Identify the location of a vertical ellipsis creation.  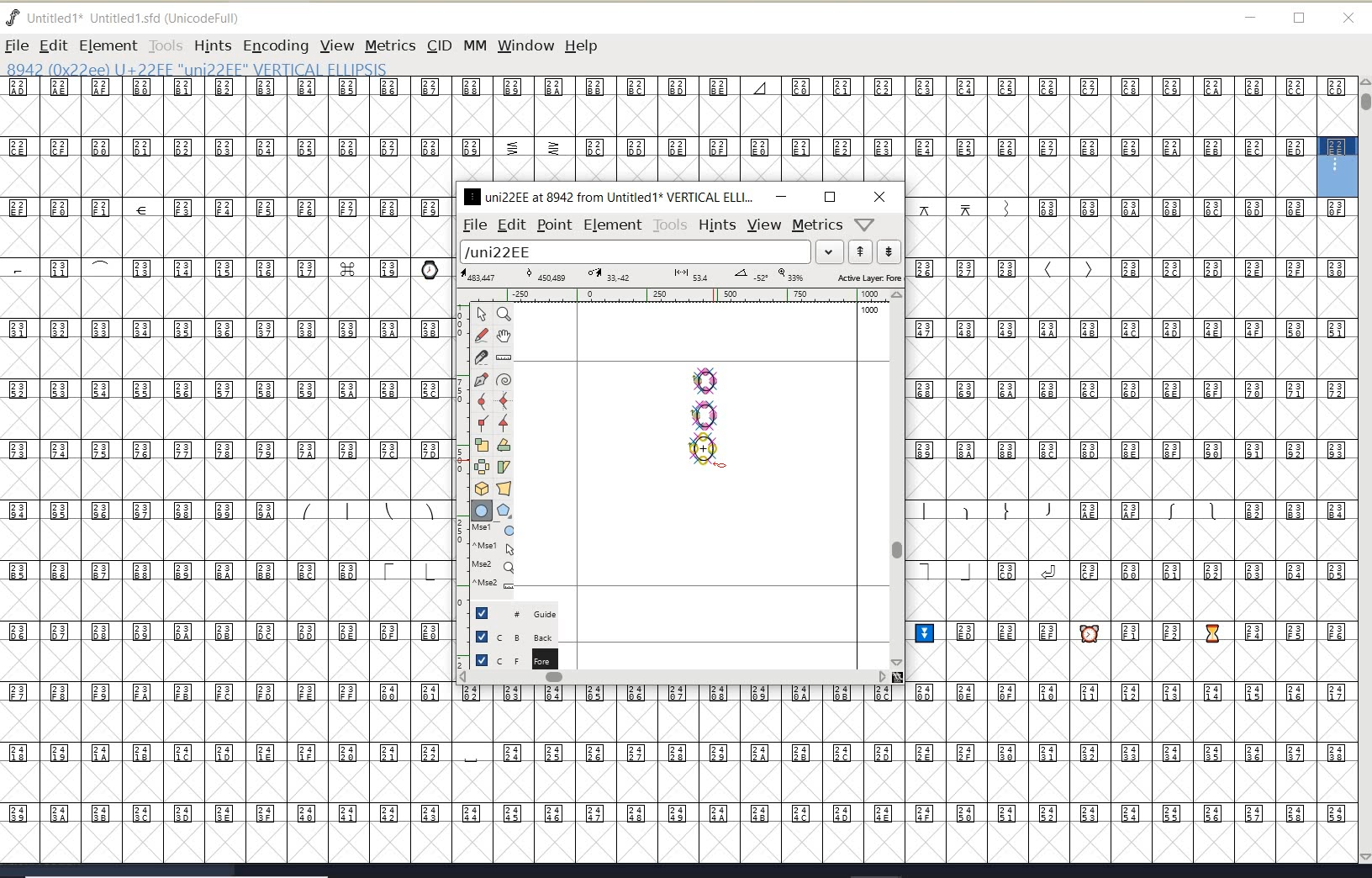
(705, 413).